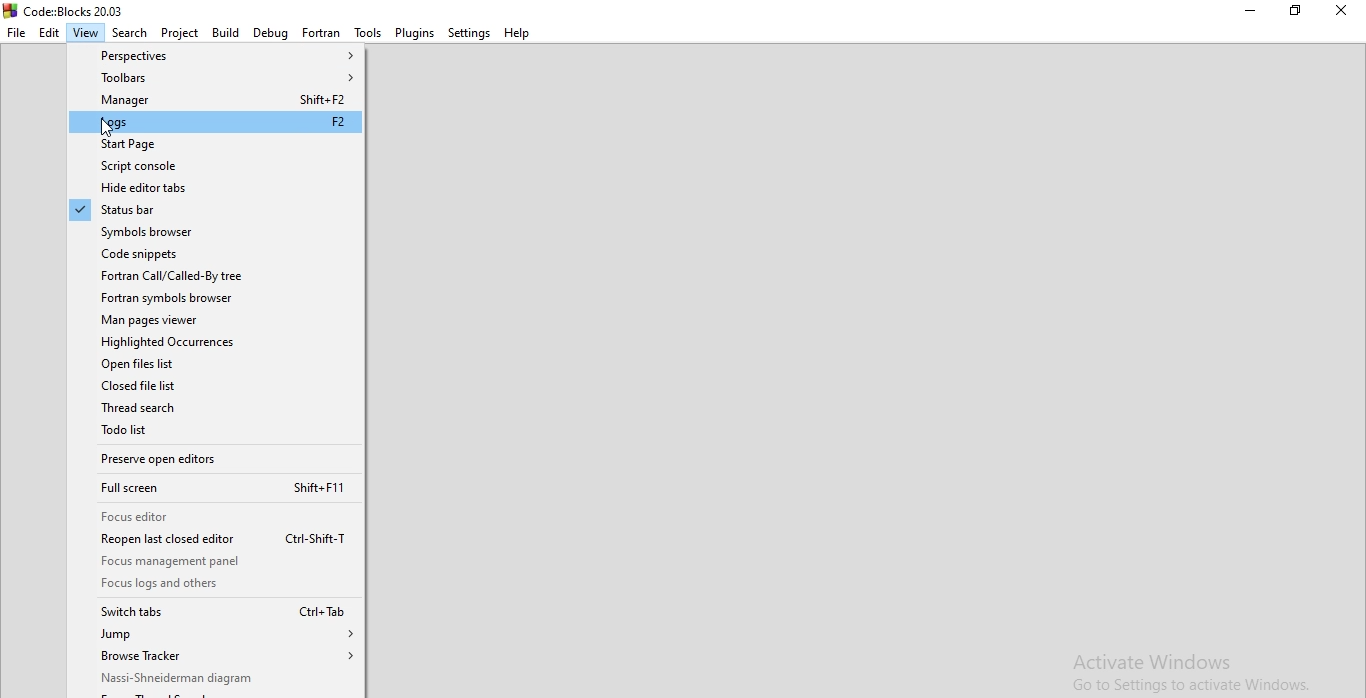 This screenshot has width=1366, height=698. I want to click on Code snippets, so click(217, 254).